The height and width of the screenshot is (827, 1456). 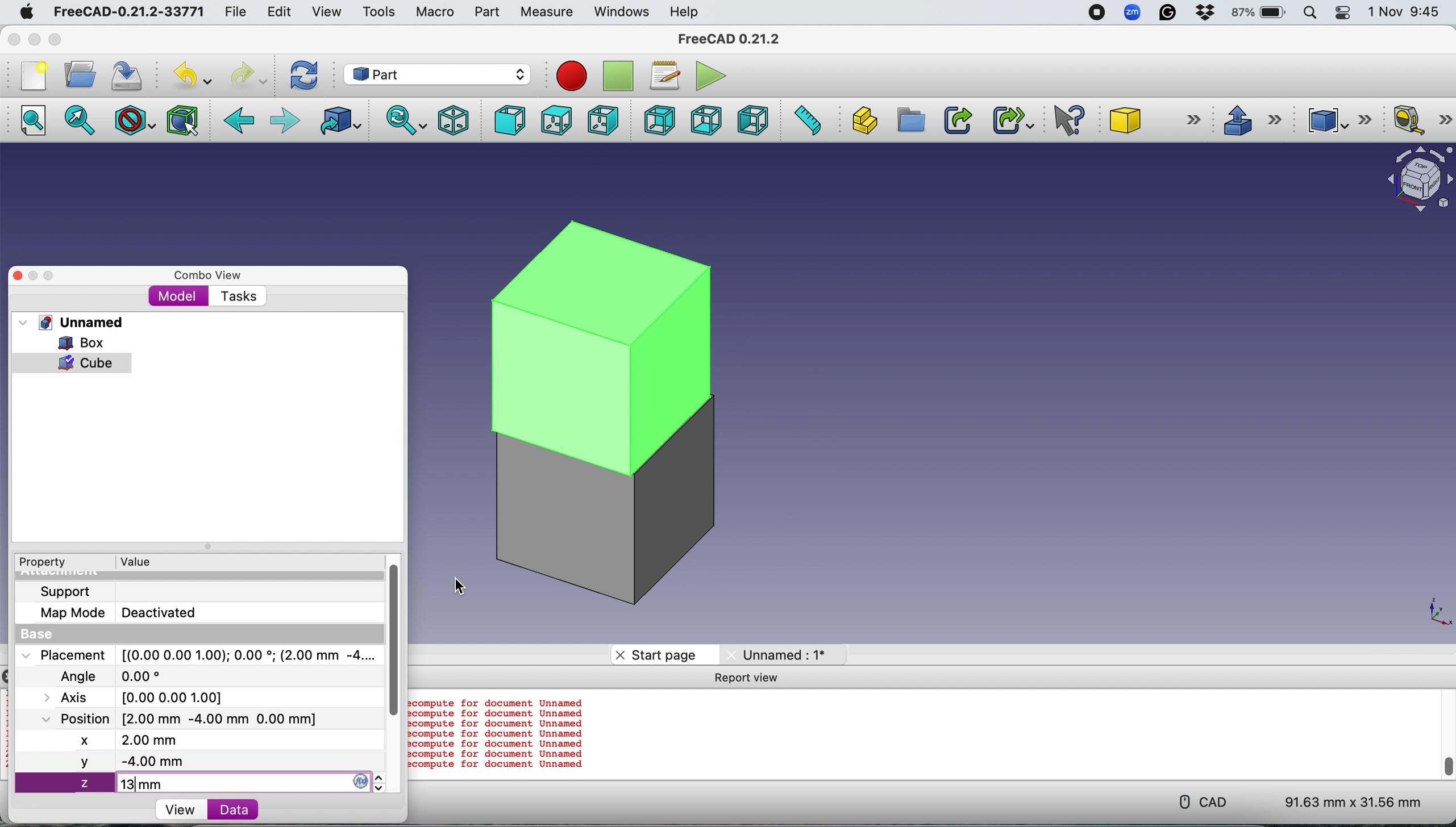 What do you see at coordinates (238, 297) in the screenshot?
I see `Tasks` at bounding box center [238, 297].